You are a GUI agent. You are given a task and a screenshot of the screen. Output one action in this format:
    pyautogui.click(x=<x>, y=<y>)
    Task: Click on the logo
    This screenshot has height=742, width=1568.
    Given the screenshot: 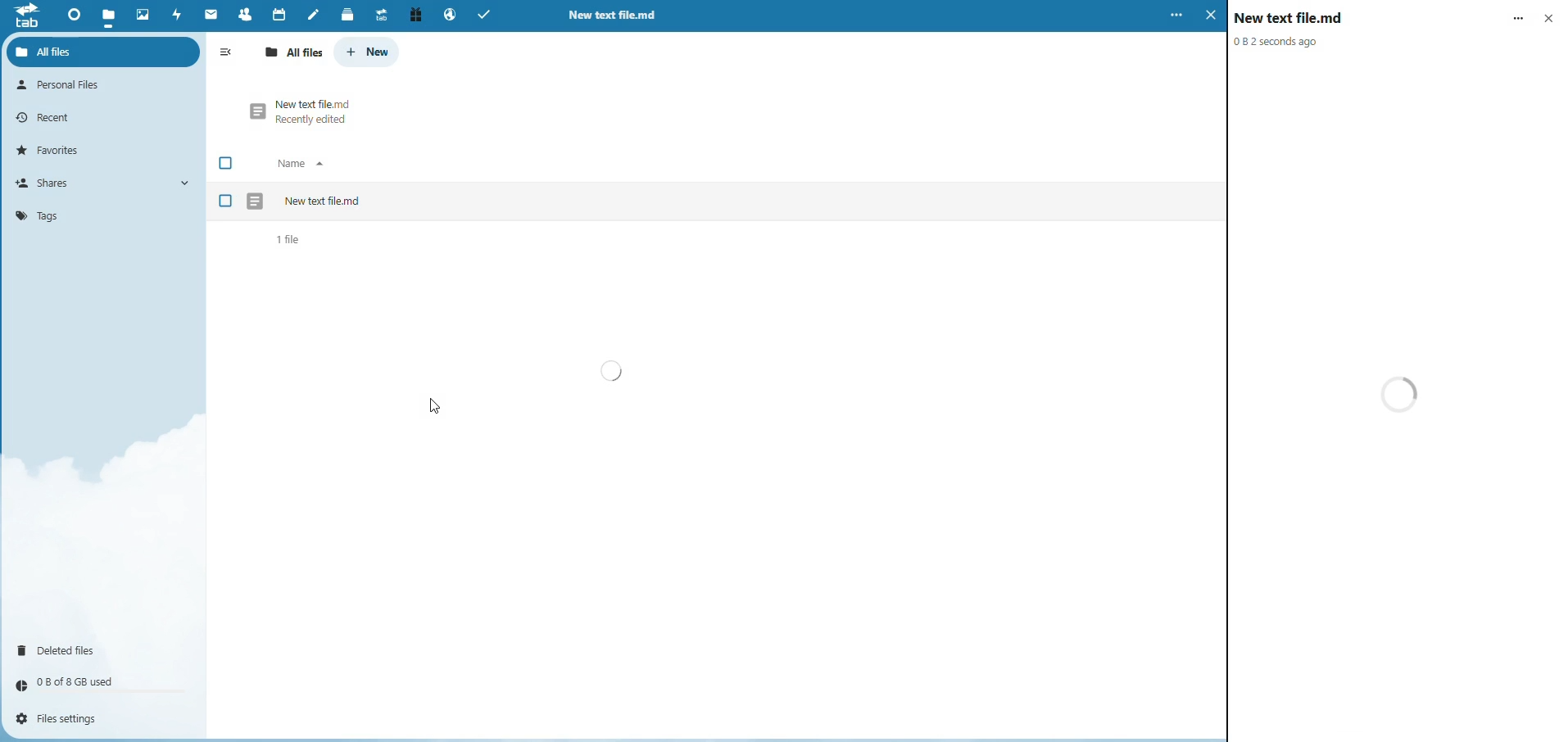 What is the action you would take?
    pyautogui.click(x=26, y=20)
    